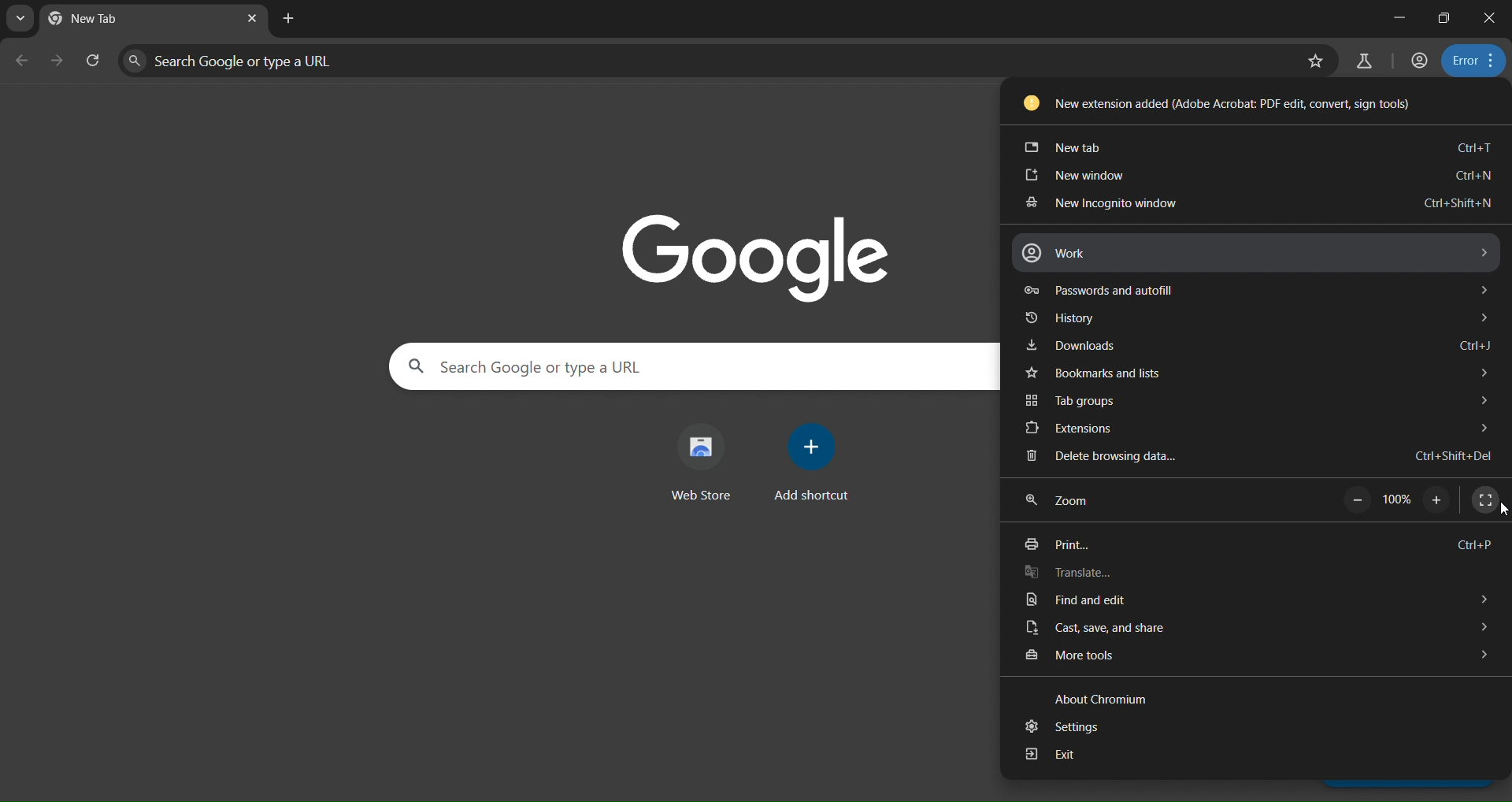  I want to click on work, so click(1254, 254).